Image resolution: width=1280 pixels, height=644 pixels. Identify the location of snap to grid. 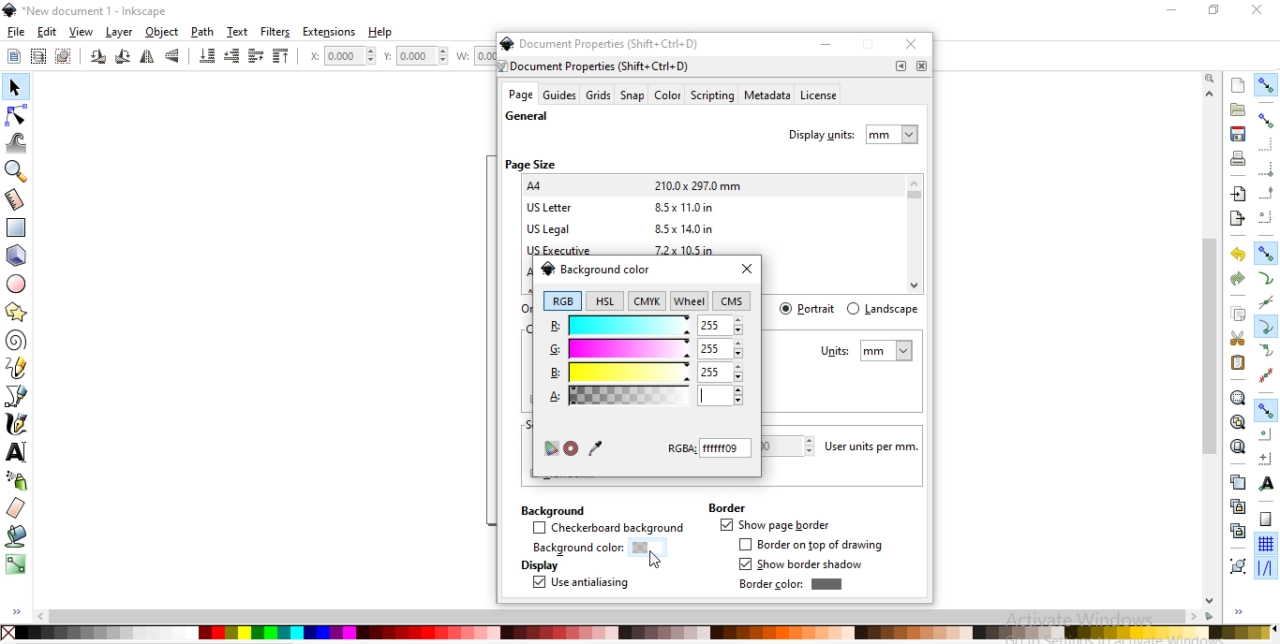
(1265, 545).